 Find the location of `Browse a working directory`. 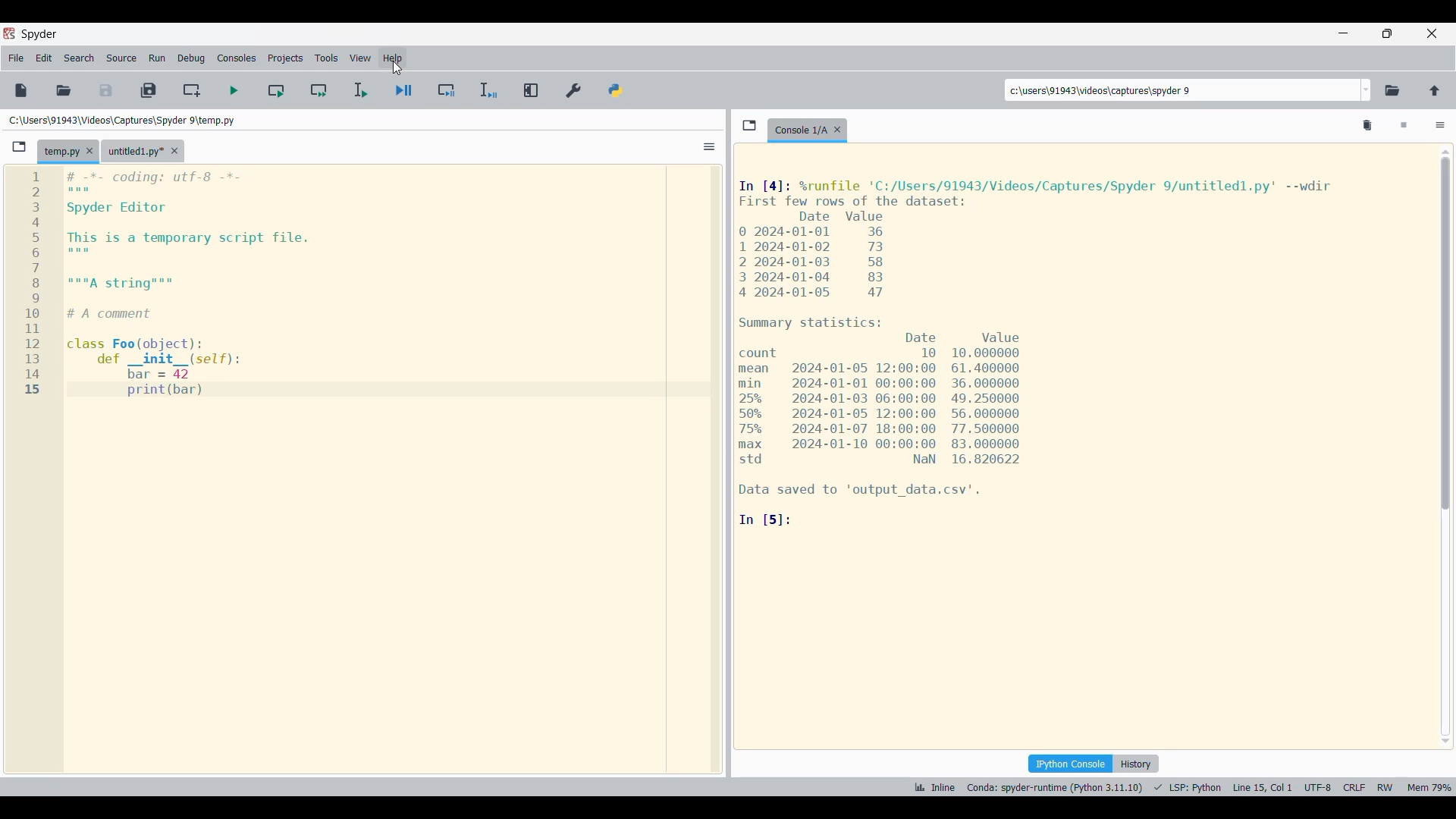

Browse a working directory is located at coordinates (1392, 91).